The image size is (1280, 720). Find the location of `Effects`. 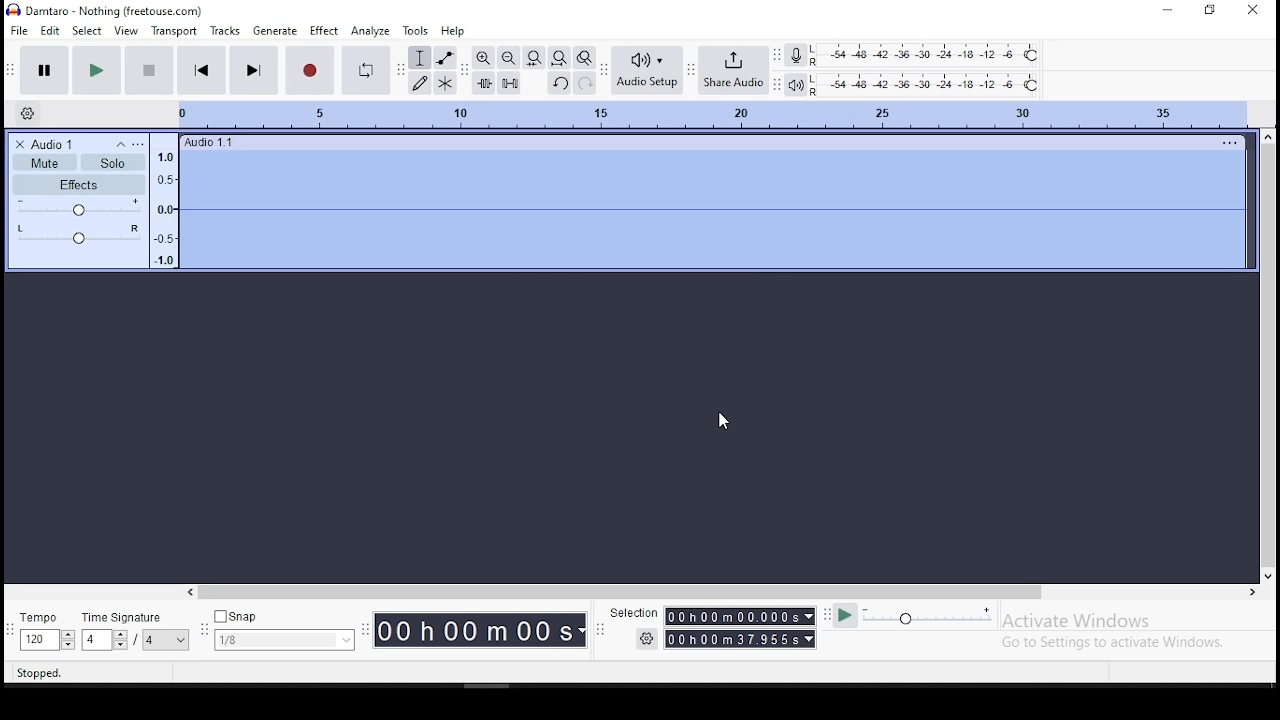

Effects is located at coordinates (81, 186).